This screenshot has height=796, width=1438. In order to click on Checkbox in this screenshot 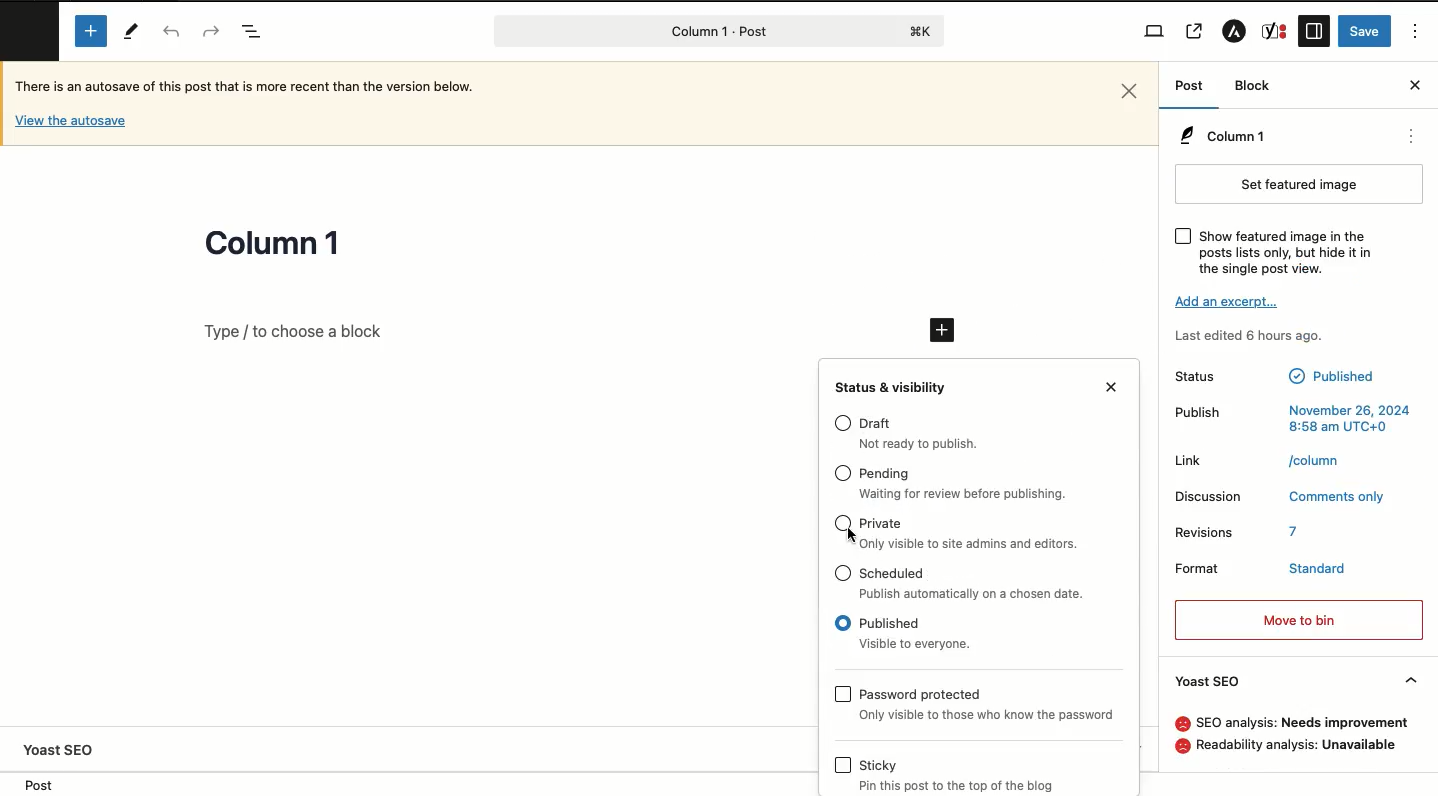, I will do `click(1184, 237)`.